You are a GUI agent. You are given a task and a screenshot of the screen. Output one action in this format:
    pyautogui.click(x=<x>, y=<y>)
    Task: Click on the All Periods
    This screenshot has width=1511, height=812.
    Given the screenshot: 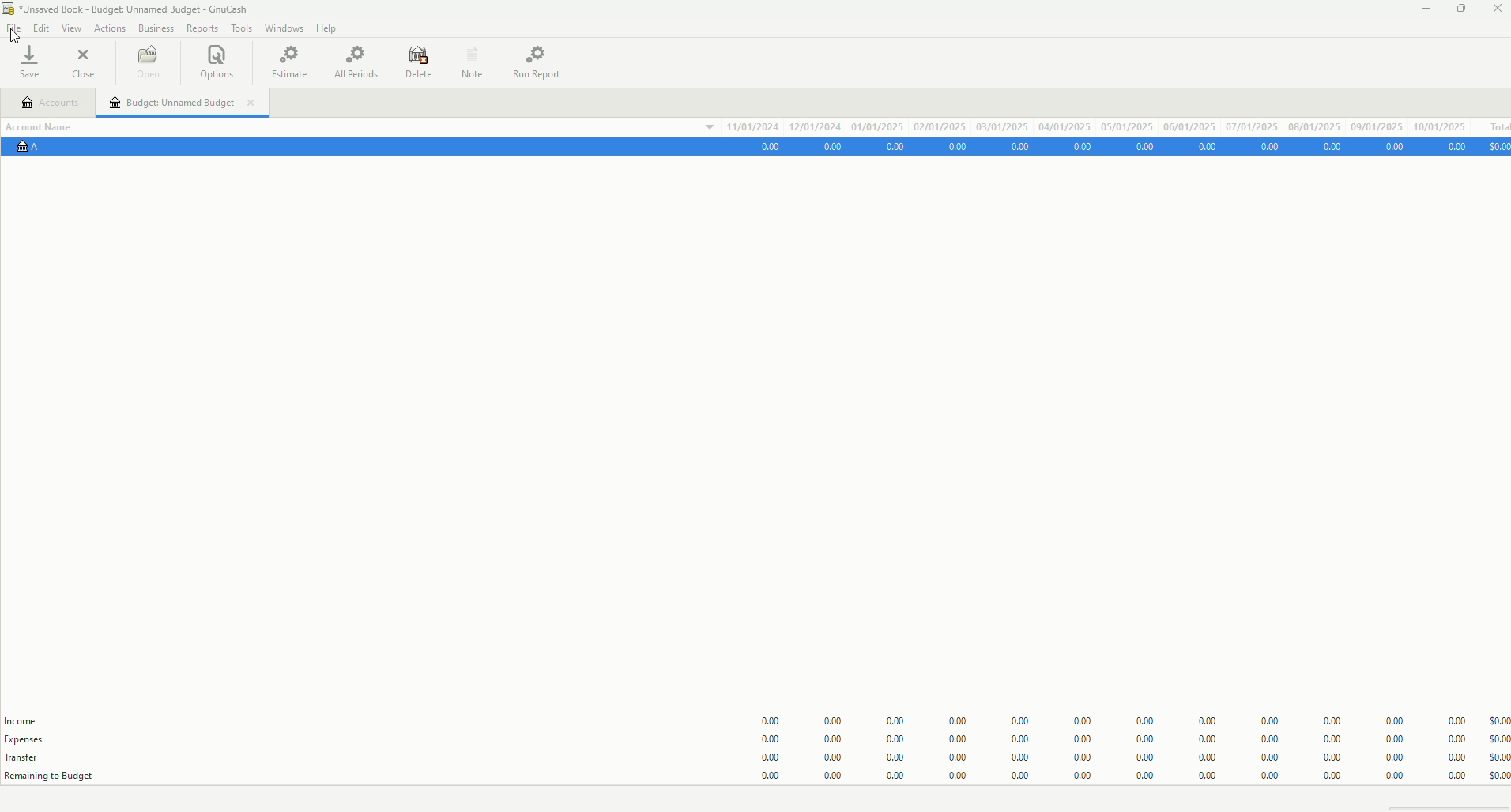 What is the action you would take?
    pyautogui.click(x=354, y=60)
    